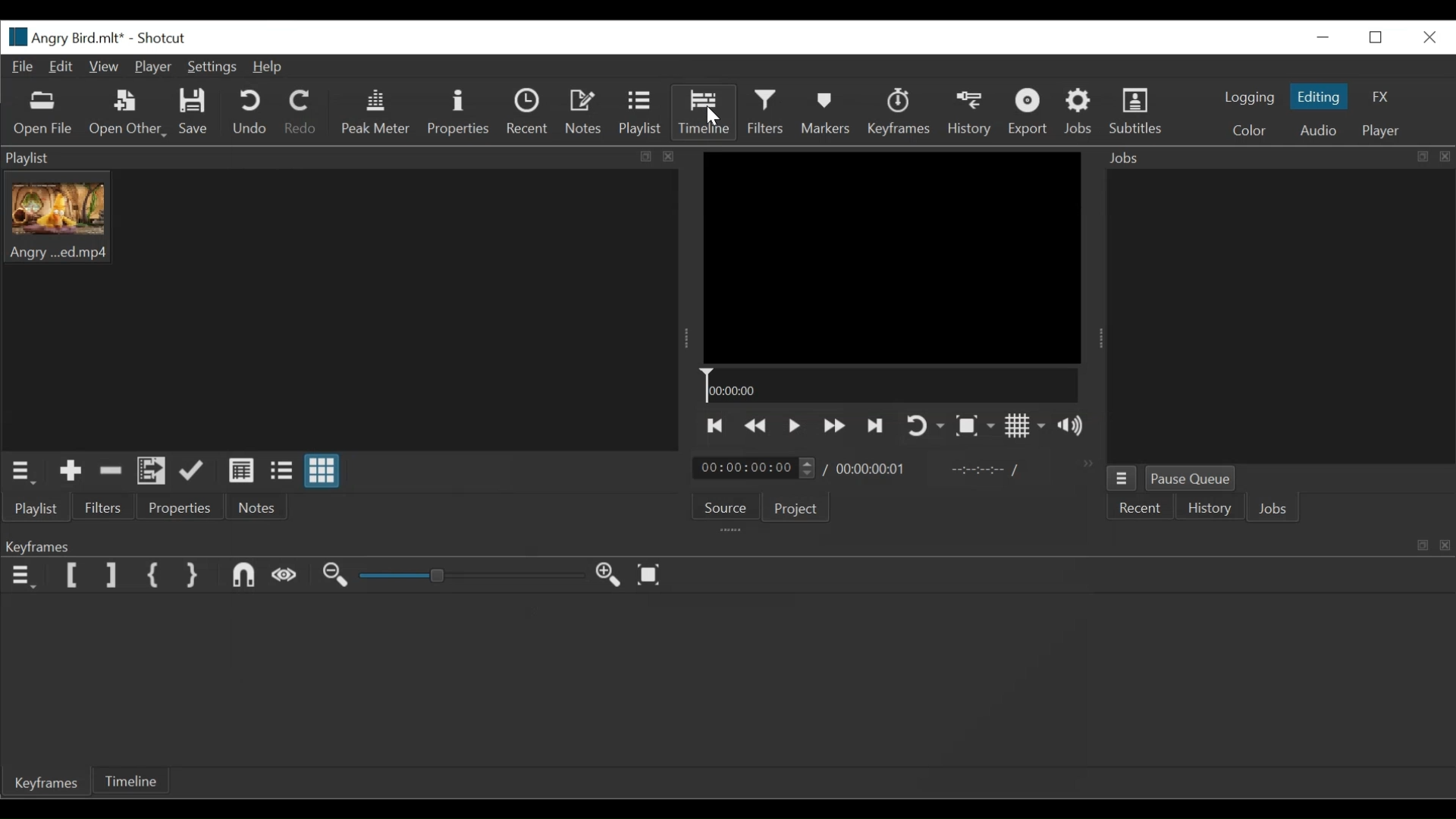 This screenshot has width=1456, height=819. What do you see at coordinates (1430, 38) in the screenshot?
I see `Close` at bounding box center [1430, 38].